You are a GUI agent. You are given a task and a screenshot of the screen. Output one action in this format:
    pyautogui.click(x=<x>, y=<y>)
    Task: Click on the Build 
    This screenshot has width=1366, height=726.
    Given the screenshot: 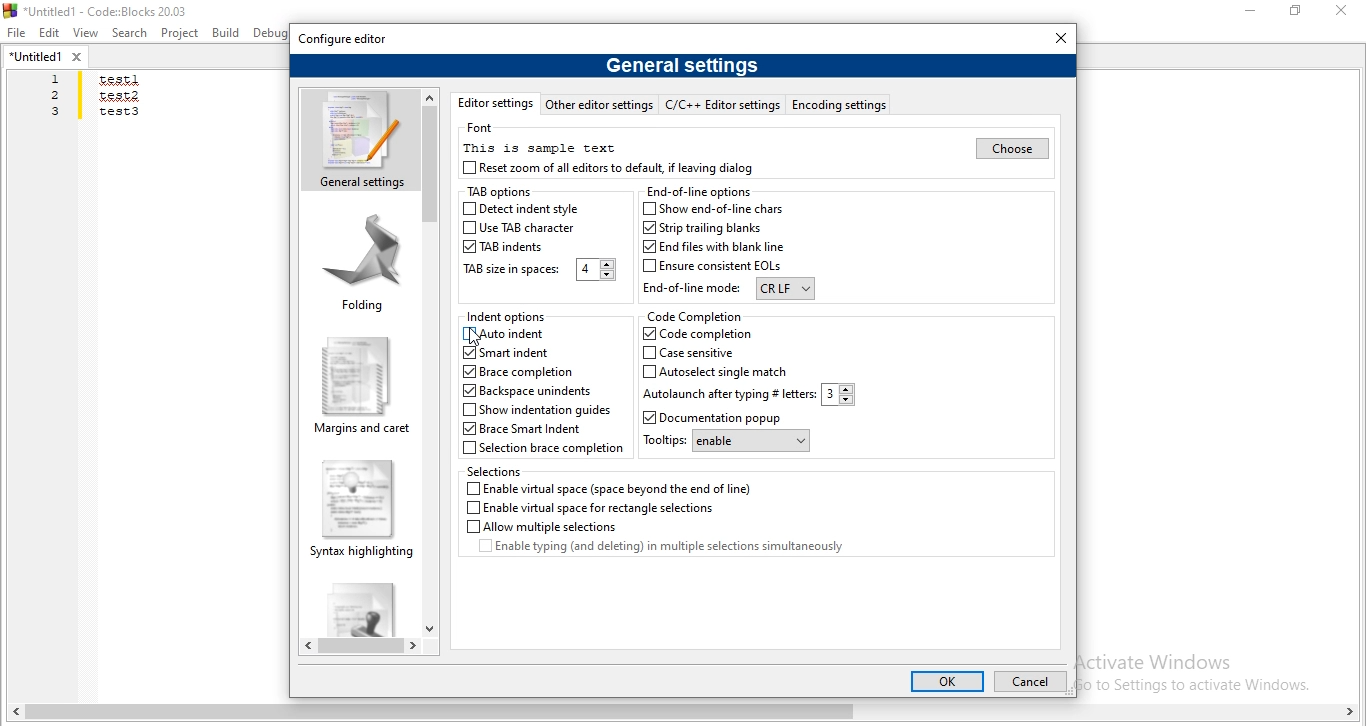 What is the action you would take?
    pyautogui.click(x=224, y=32)
    